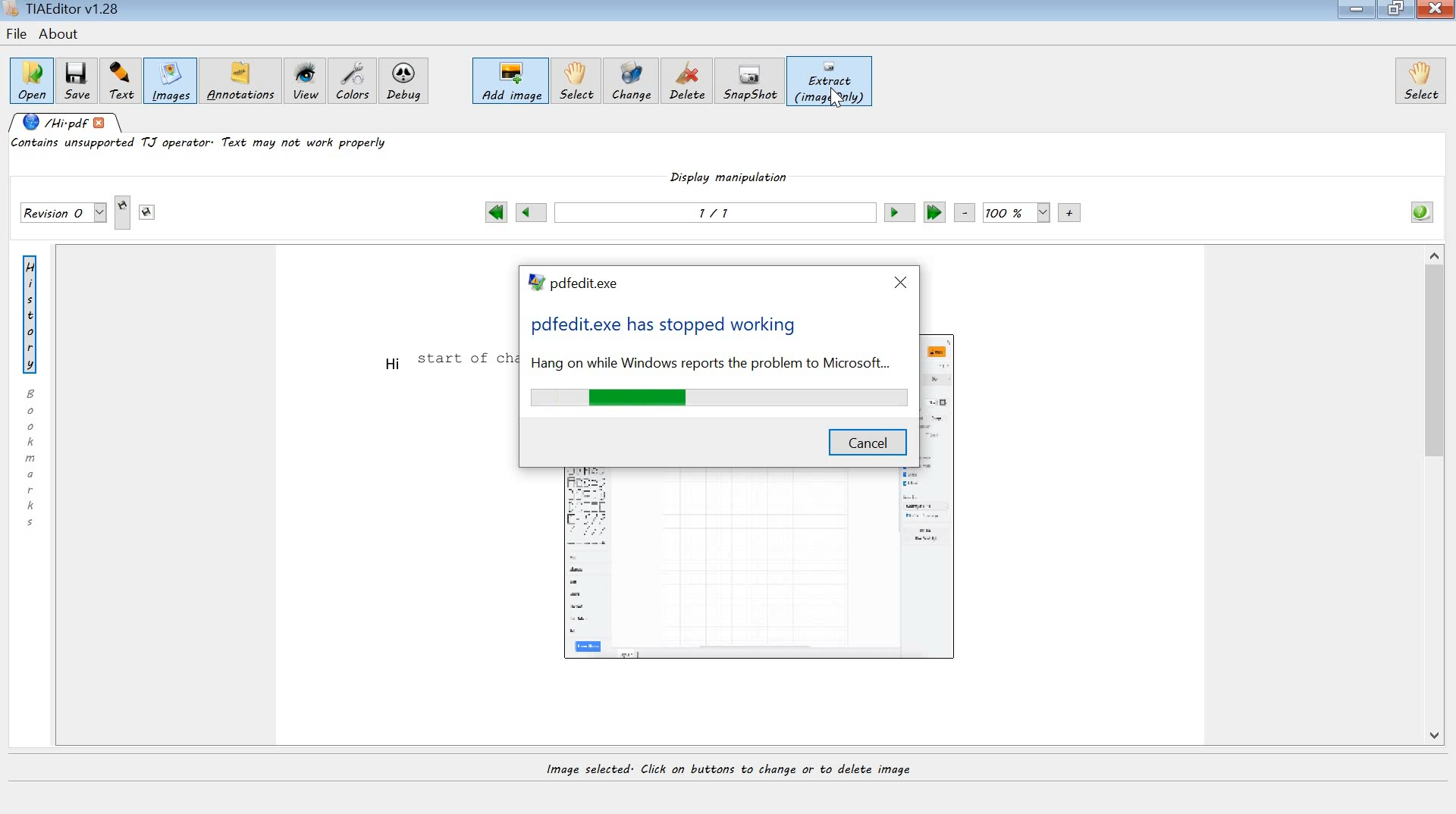 The height and width of the screenshot is (814, 1456). What do you see at coordinates (752, 772) in the screenshot?
I see `image selected. click on buttons to change or delete image` at bounding box center [752, 772].